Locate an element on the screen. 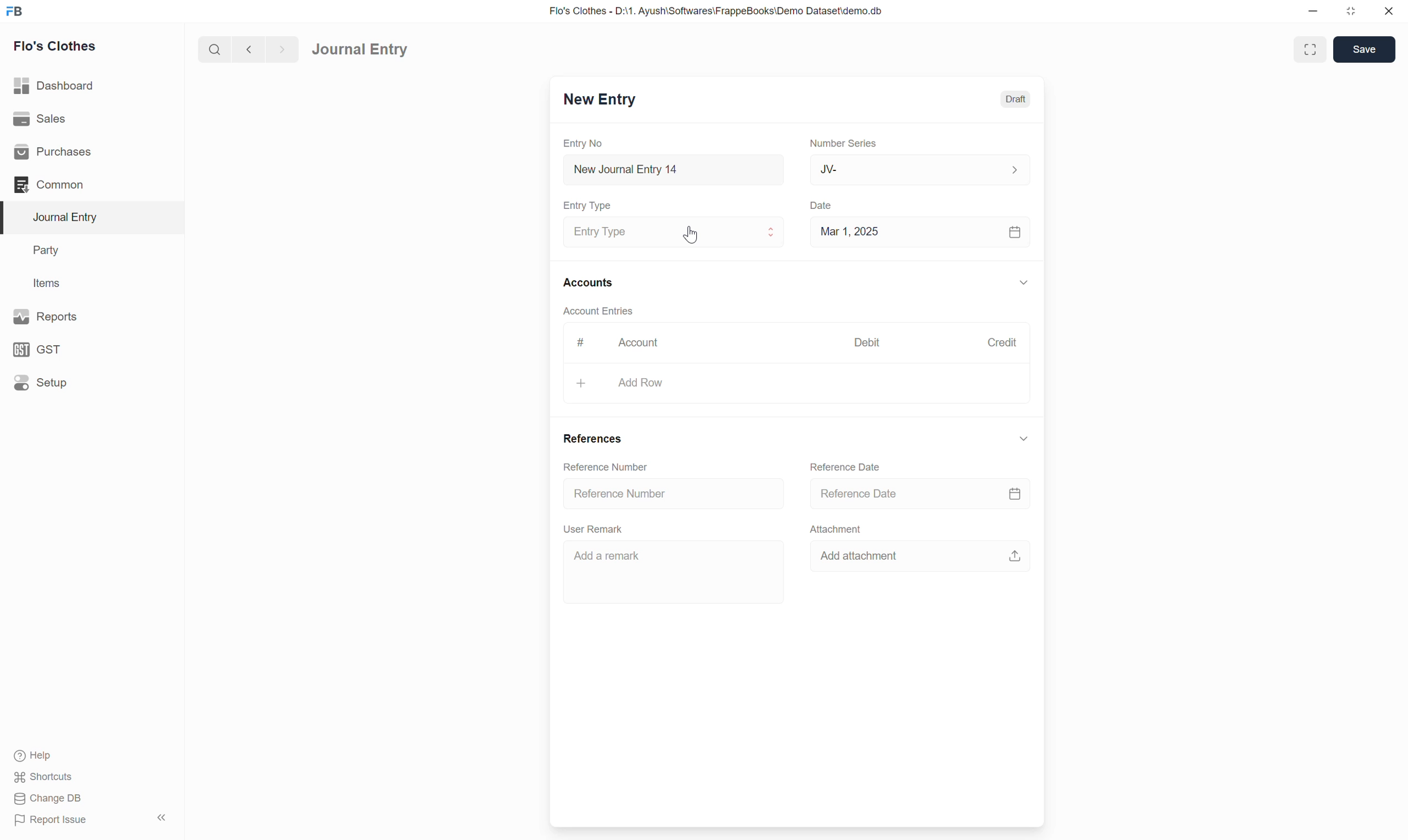  Items is located at coordinates (46, 282).